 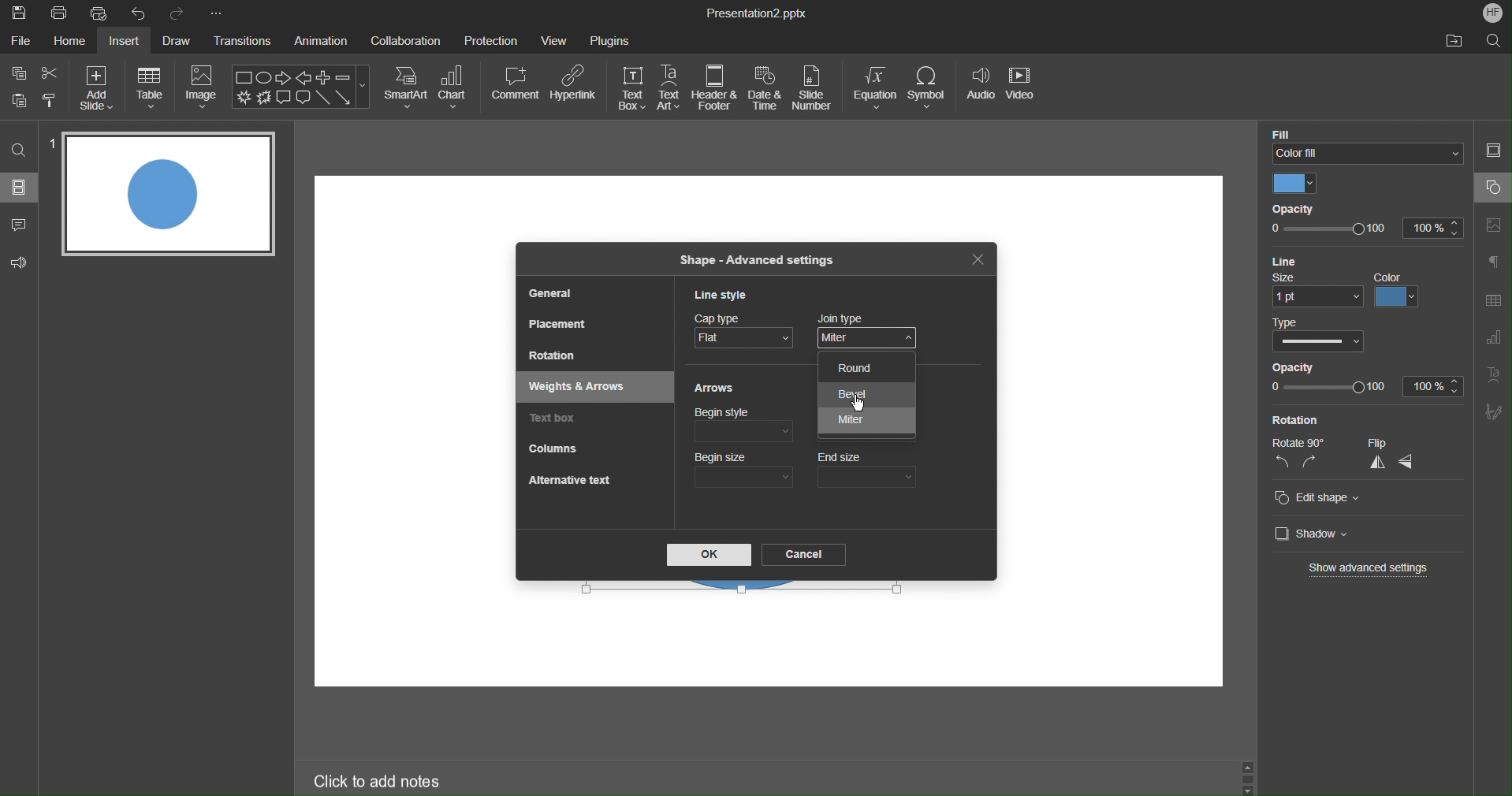 What do you see at coordinates (1317, 289) in the screenshot?
I see `size` at bounding box center [1317, 289].